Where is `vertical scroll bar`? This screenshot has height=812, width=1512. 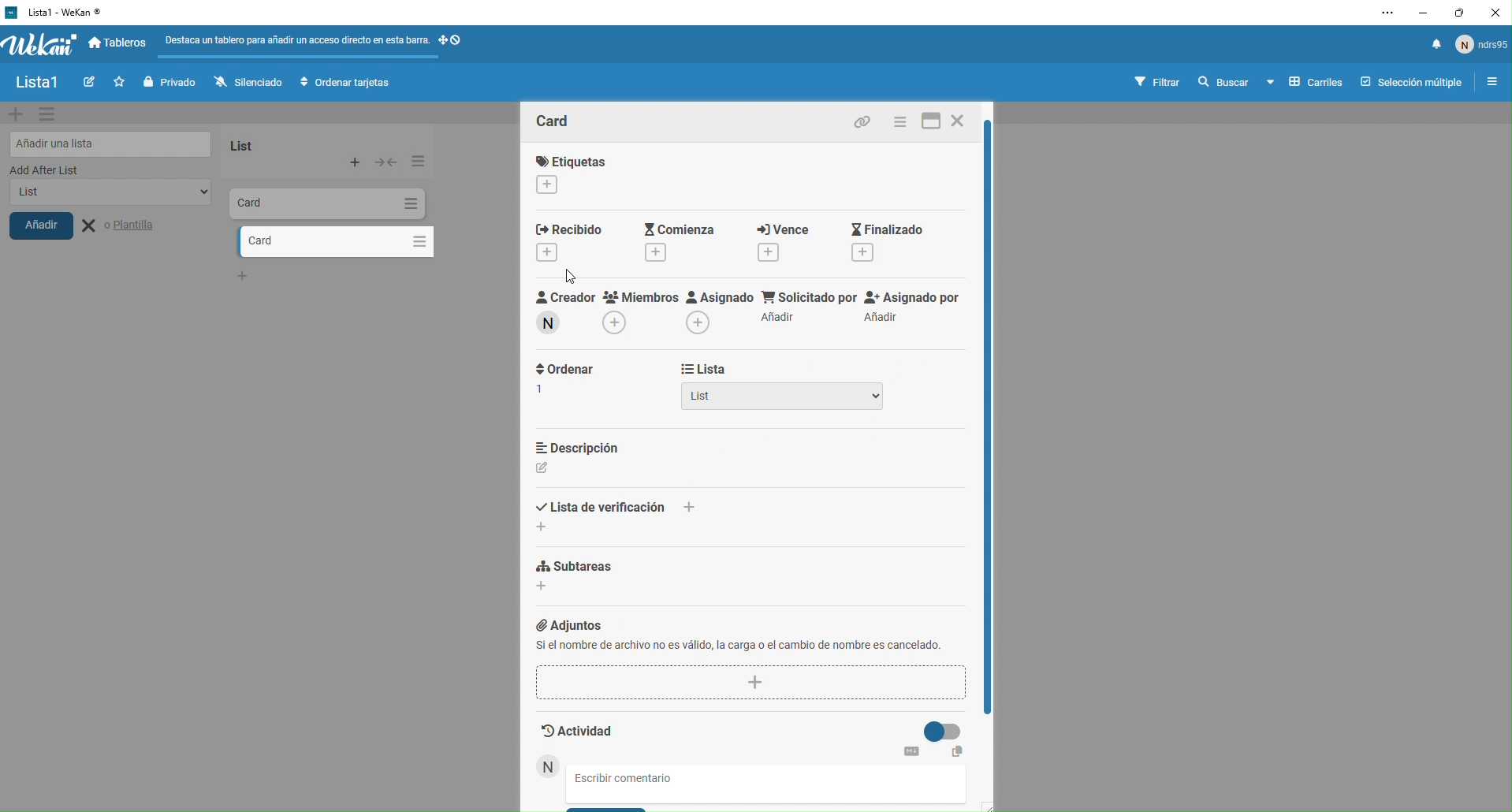 vertical scroll bar is located at coordinates (992, 416).